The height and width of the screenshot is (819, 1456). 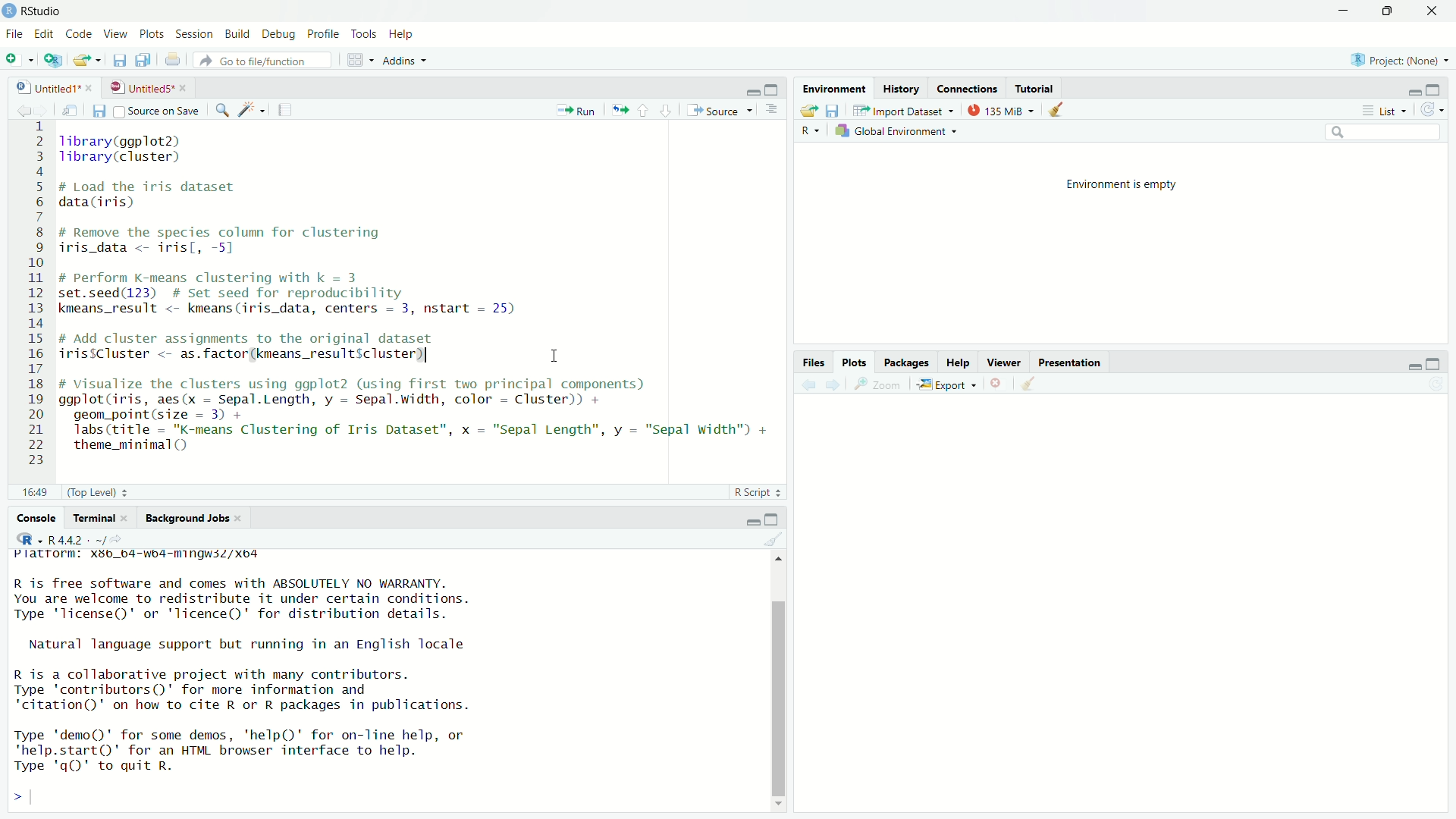 I want to click on scrollbar, so click(x=780, y=695).